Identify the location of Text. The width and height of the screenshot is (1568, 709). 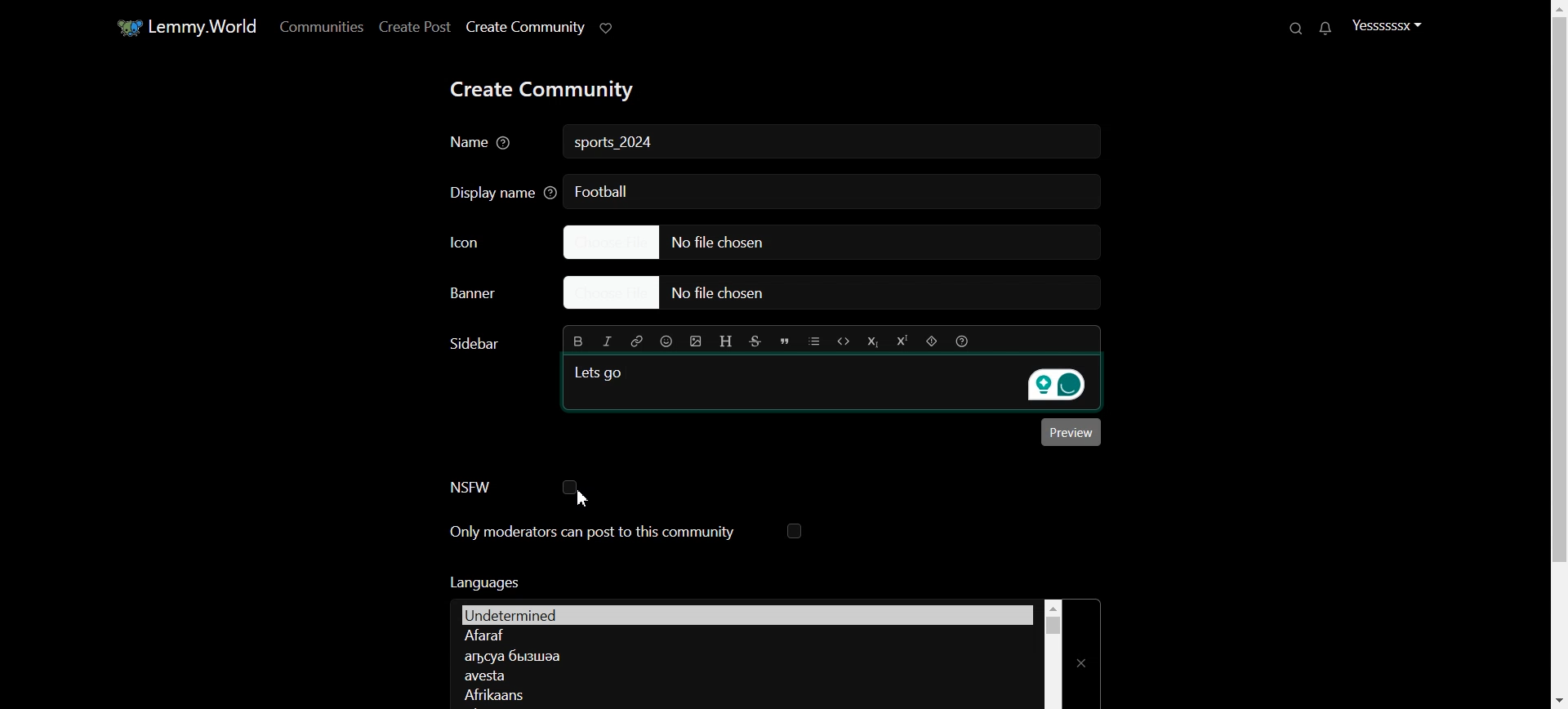
(602, 190).